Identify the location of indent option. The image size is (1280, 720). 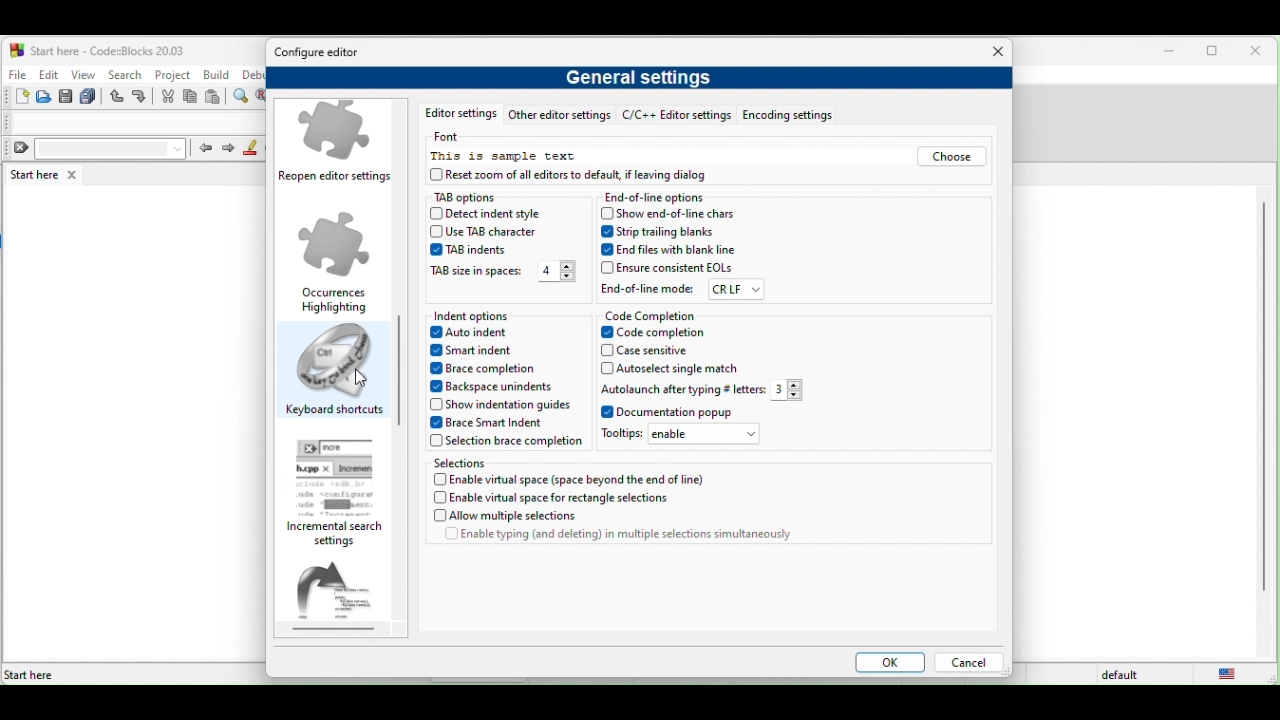
(499, 316).